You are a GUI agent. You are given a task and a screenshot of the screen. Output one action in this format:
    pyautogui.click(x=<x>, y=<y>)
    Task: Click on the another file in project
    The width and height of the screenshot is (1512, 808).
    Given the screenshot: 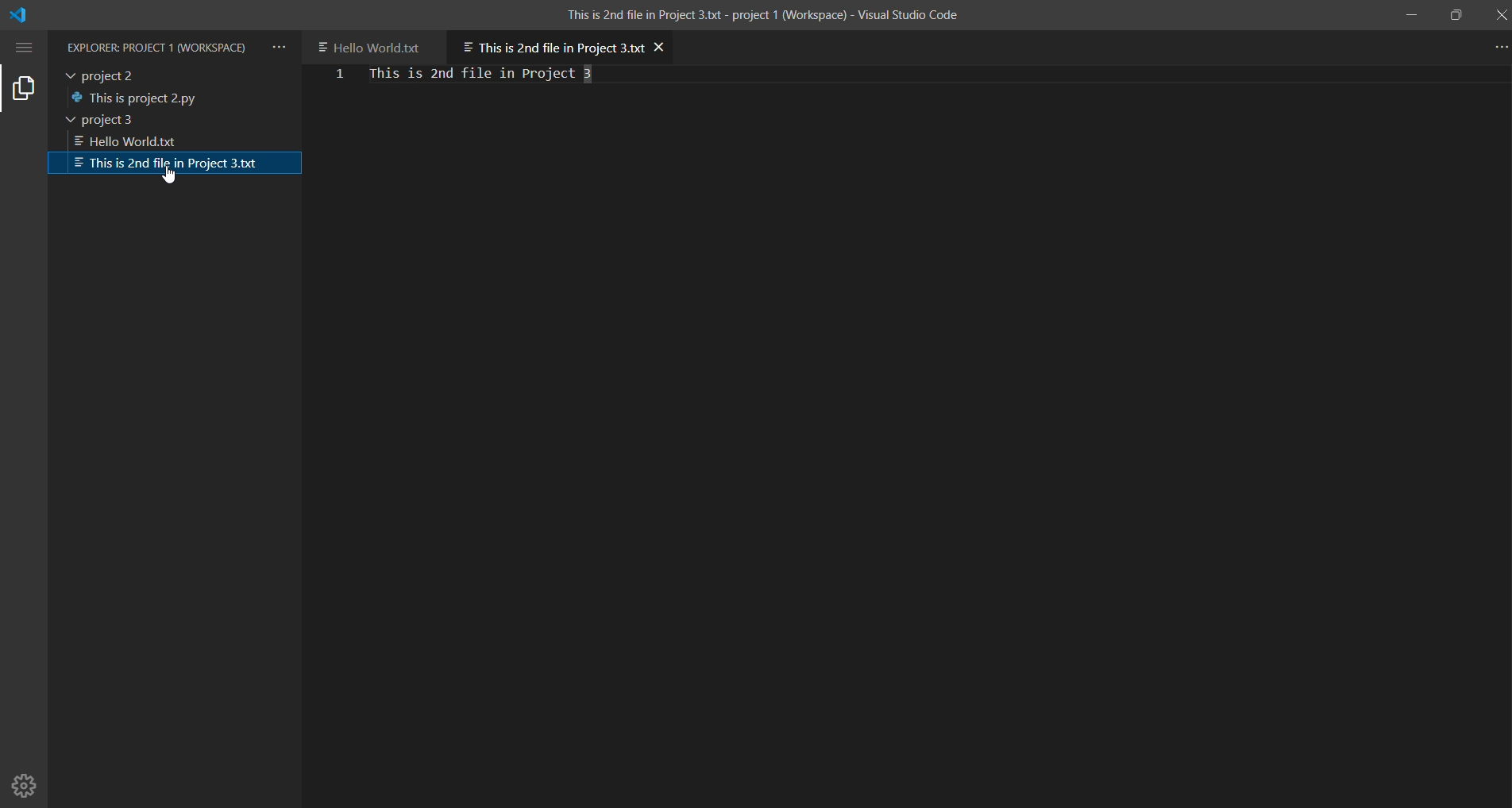 What is the action you would take?
    pyautogui.click(x=376, y=45)
    